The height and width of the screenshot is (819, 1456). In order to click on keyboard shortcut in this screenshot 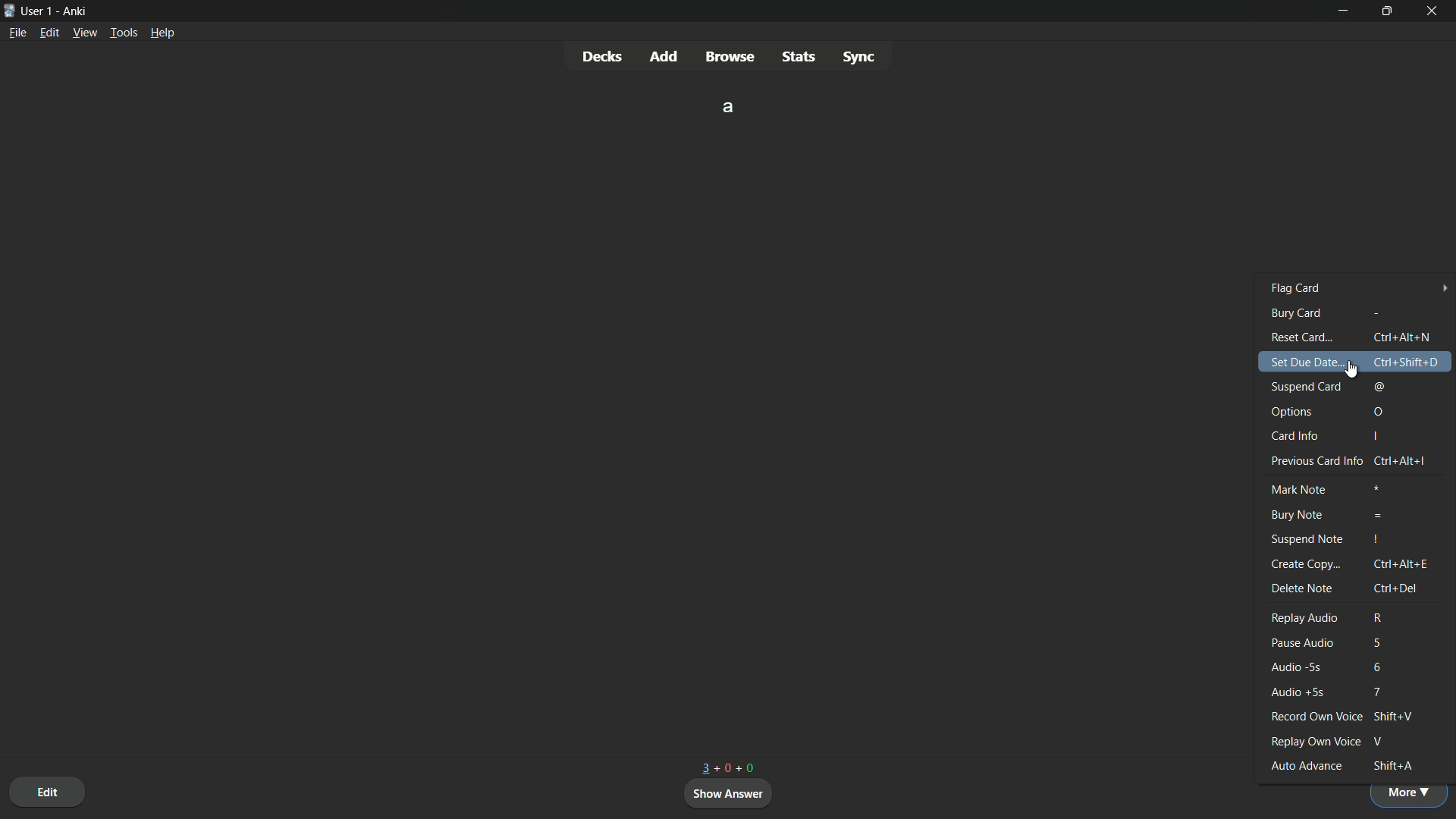, I will do `click(1373, 438)`.